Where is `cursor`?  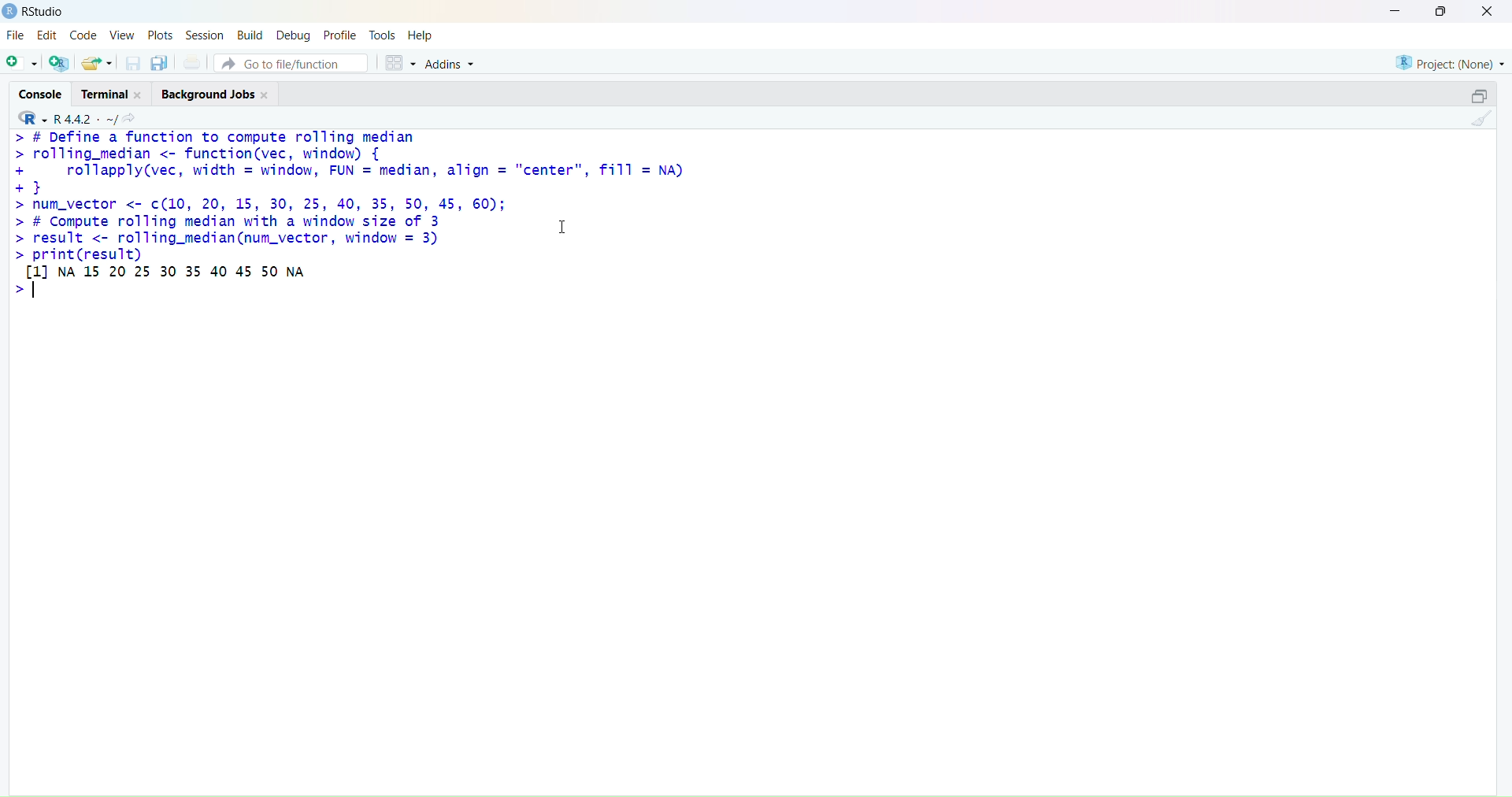
cursor is located at coordinates (564, 226).